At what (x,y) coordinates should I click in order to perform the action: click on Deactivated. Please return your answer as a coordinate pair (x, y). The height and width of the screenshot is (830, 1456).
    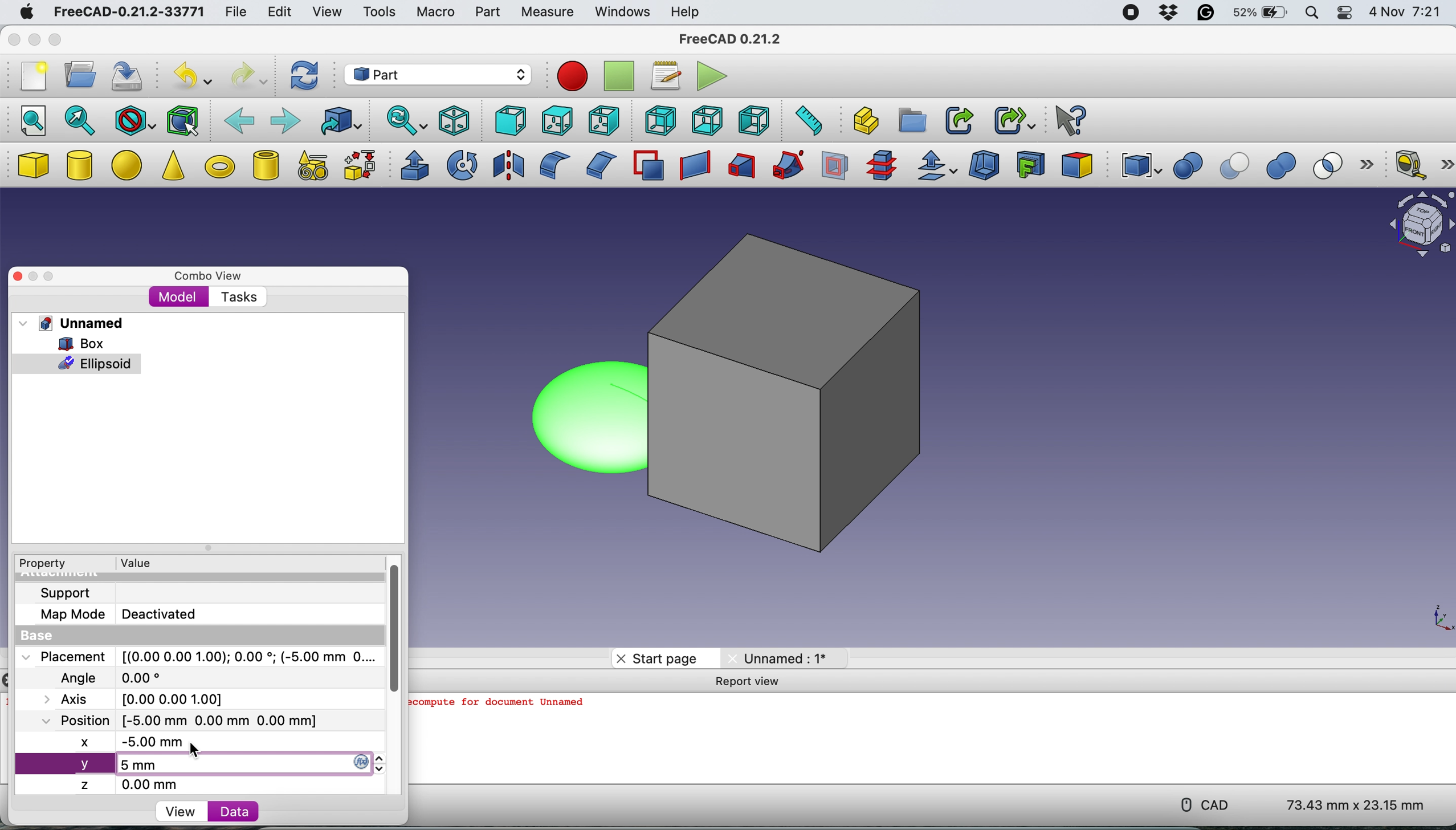
    Looking at the image, I should click on (164, 612).